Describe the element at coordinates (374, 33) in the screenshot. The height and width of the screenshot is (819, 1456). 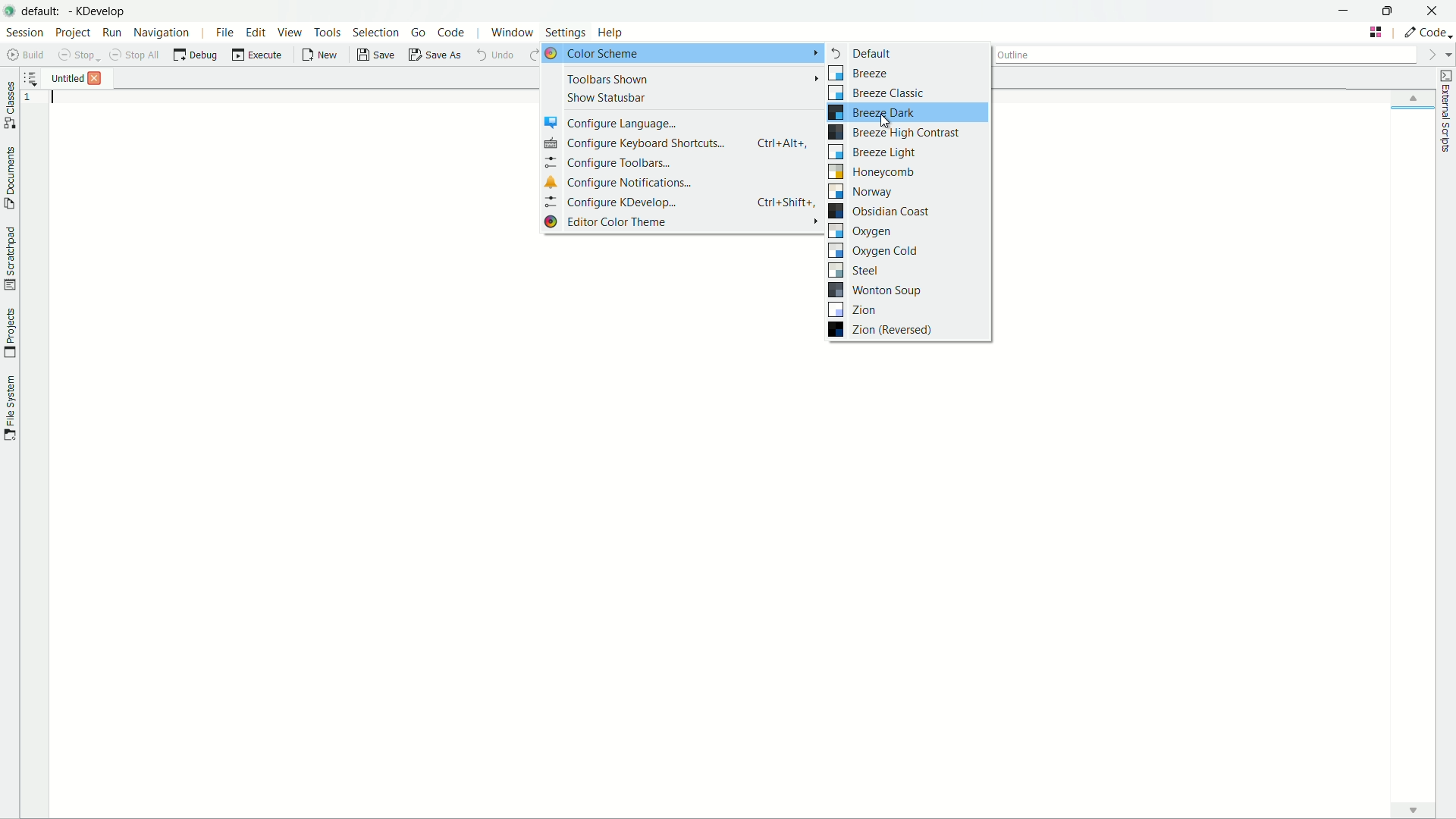
I see `selection` at that location.